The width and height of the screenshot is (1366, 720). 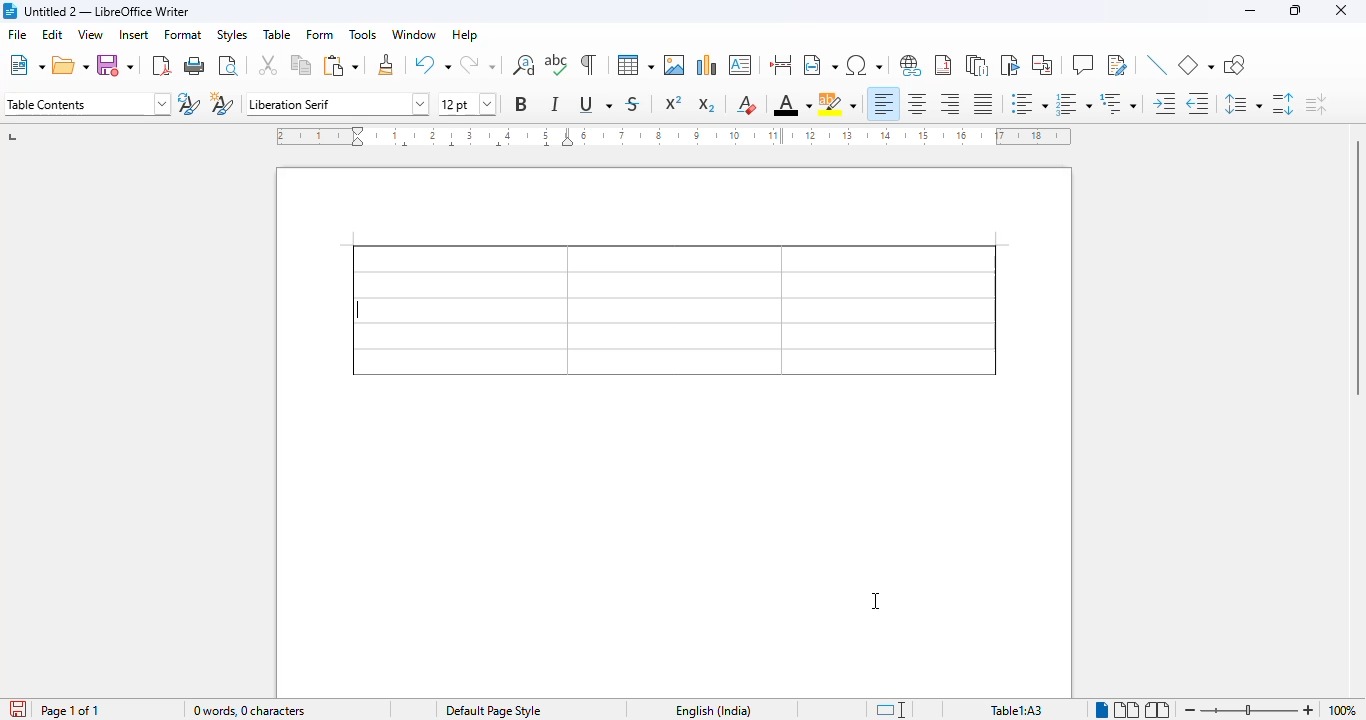 I want to click on border added to entire table, so click(x=674, y=309).